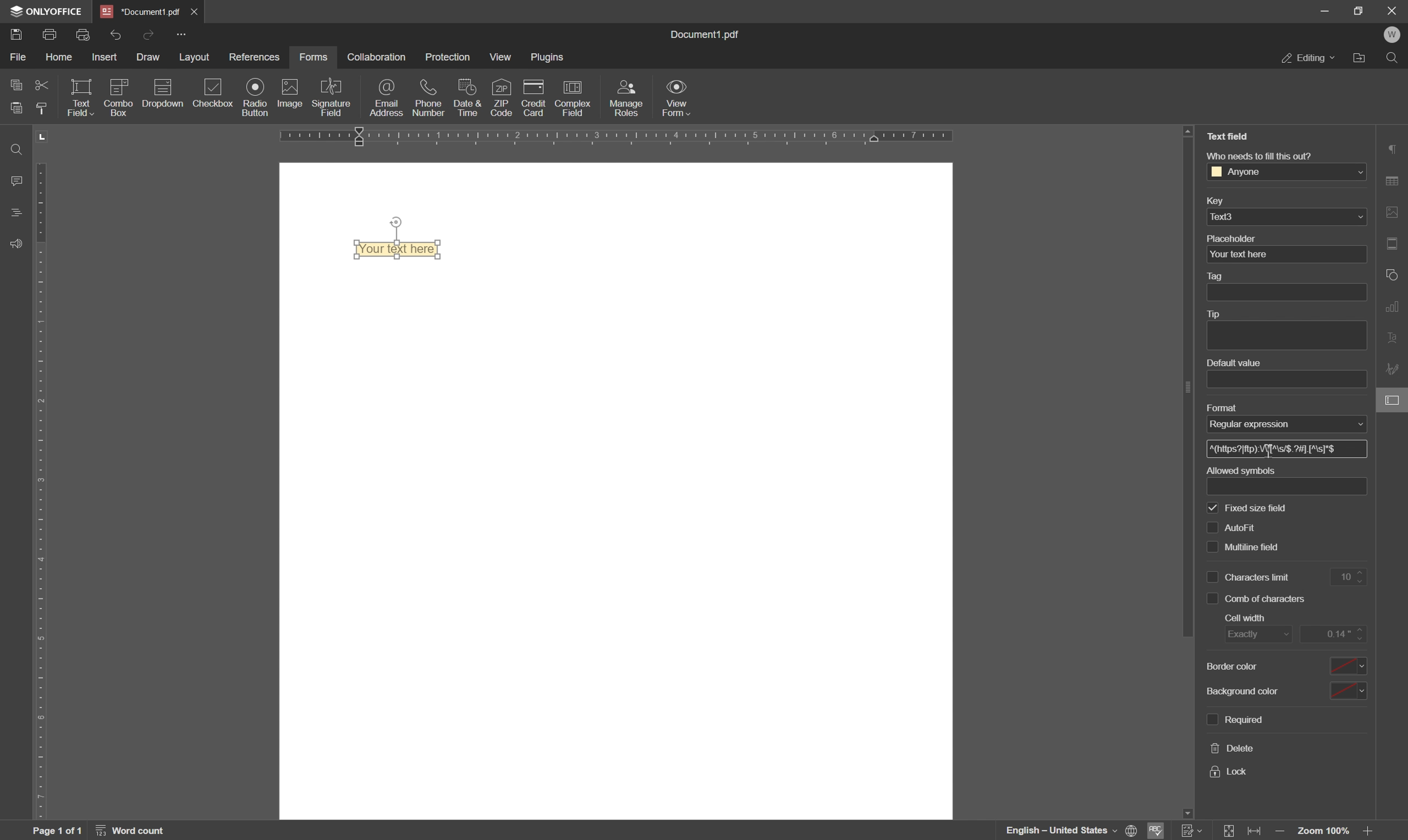 The height and width of the screenshot is (840, 1408). I want to click on radio button, so click(253, 97).